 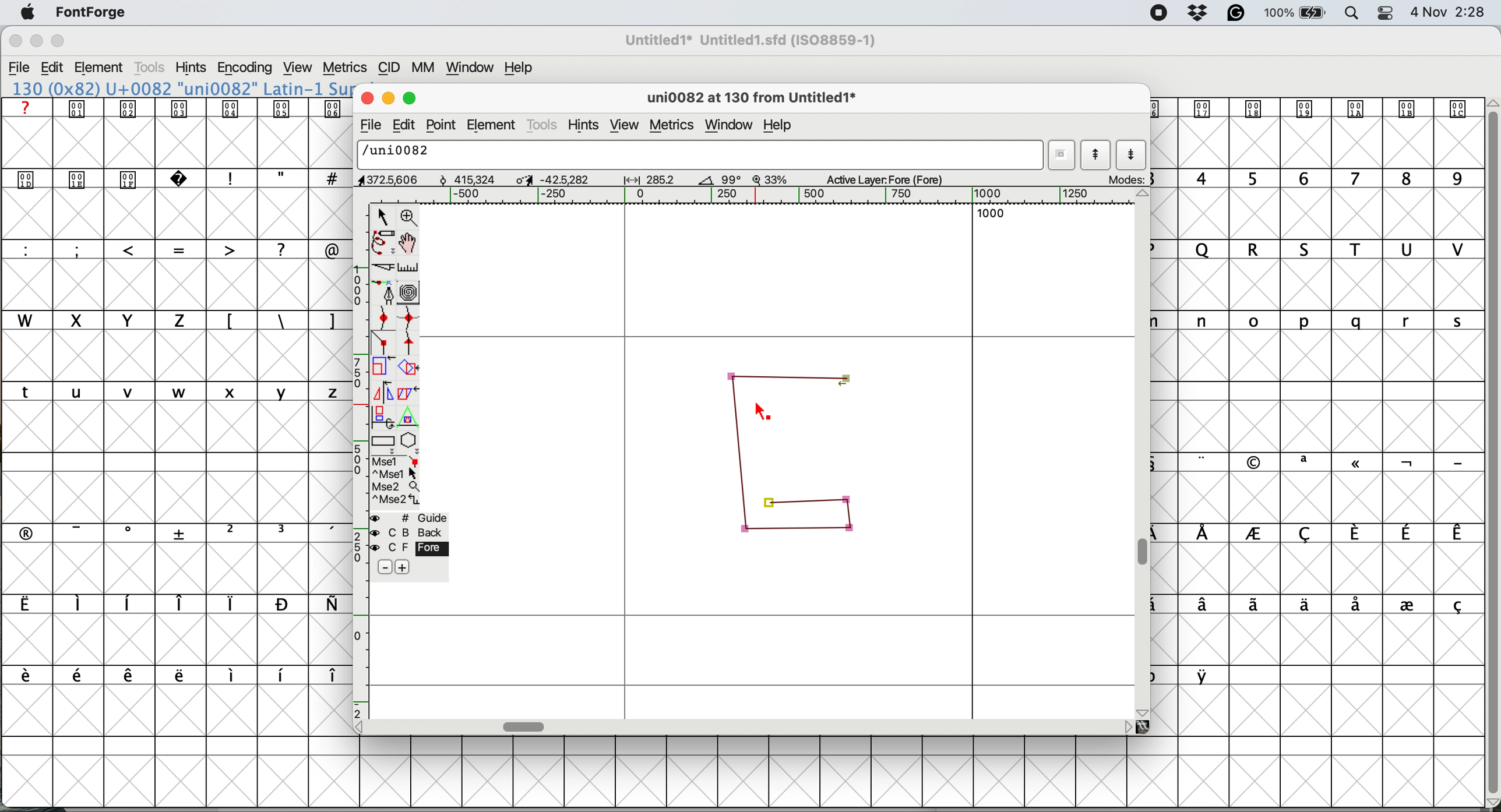 What do you see at coordinates (412, 96) in the screenshot?
I see `maximise` at bounding box center [412, 96].